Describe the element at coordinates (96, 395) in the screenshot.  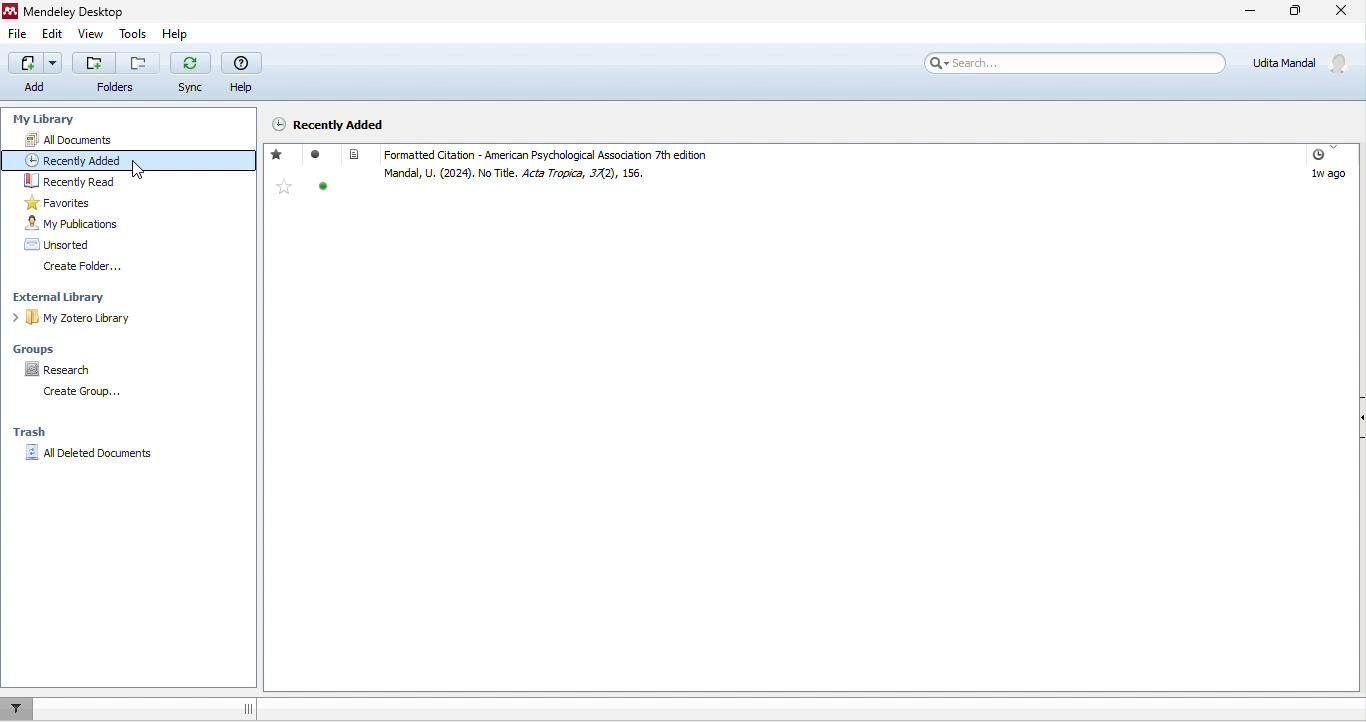
I see `create group` at that location.